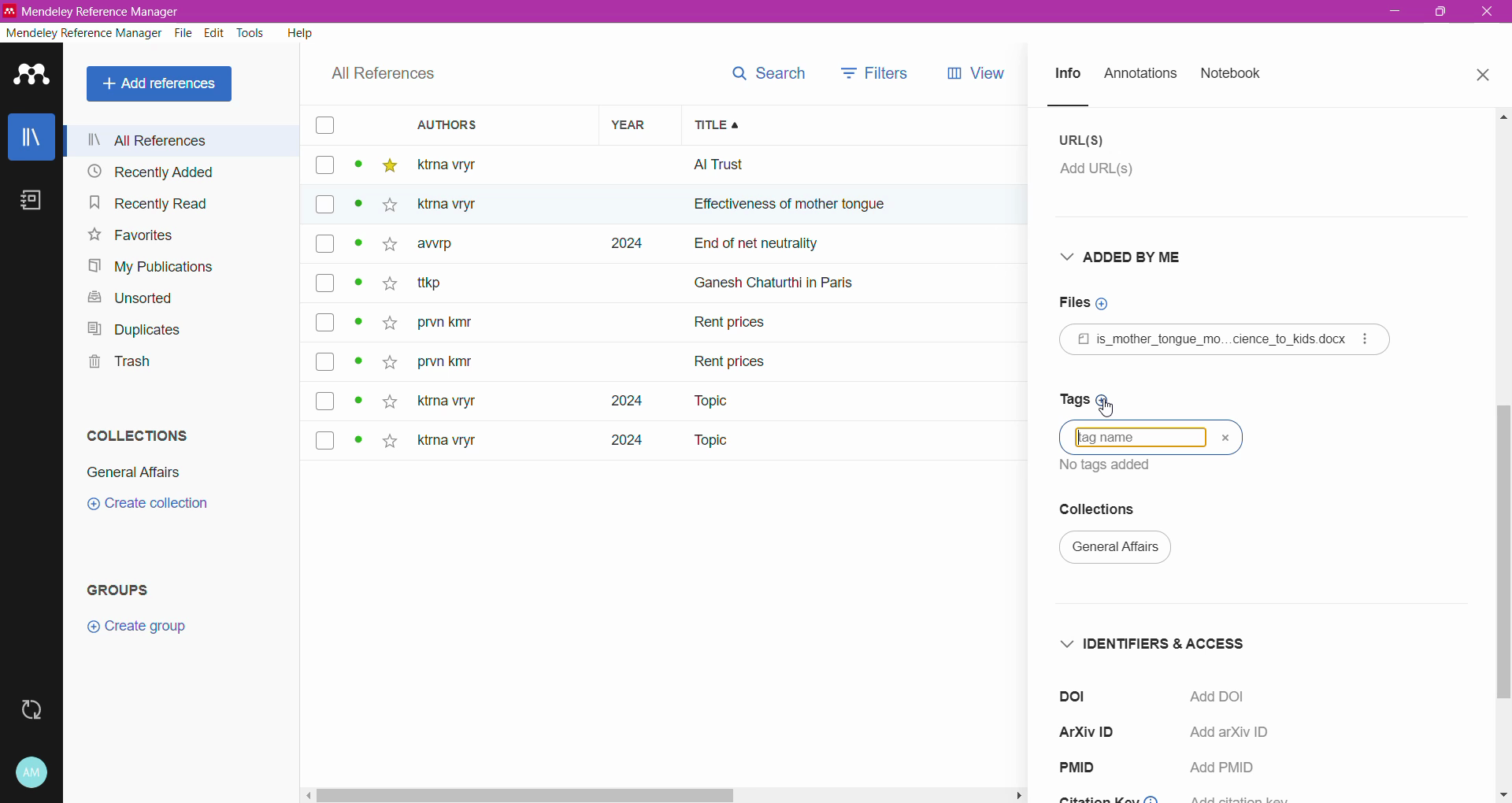 The height and width of the screenshot is (803, 1512). What do you see at coordinates (862, 246) in the screenshot?
I see `end of net neutrally ` at bounding box center [862, 246].